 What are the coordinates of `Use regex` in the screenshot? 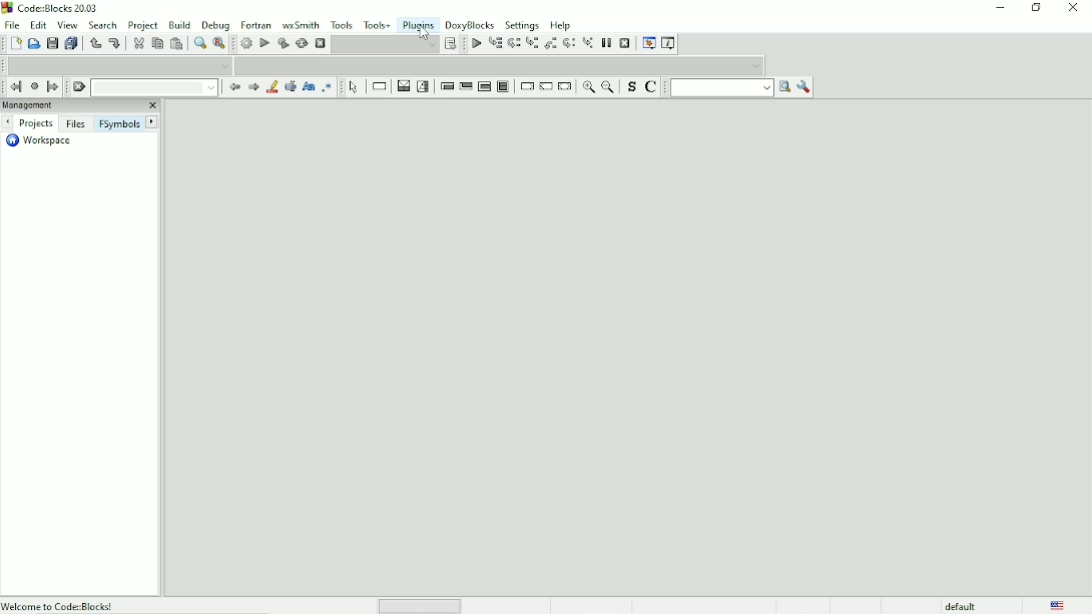 It's located at (327, 87).